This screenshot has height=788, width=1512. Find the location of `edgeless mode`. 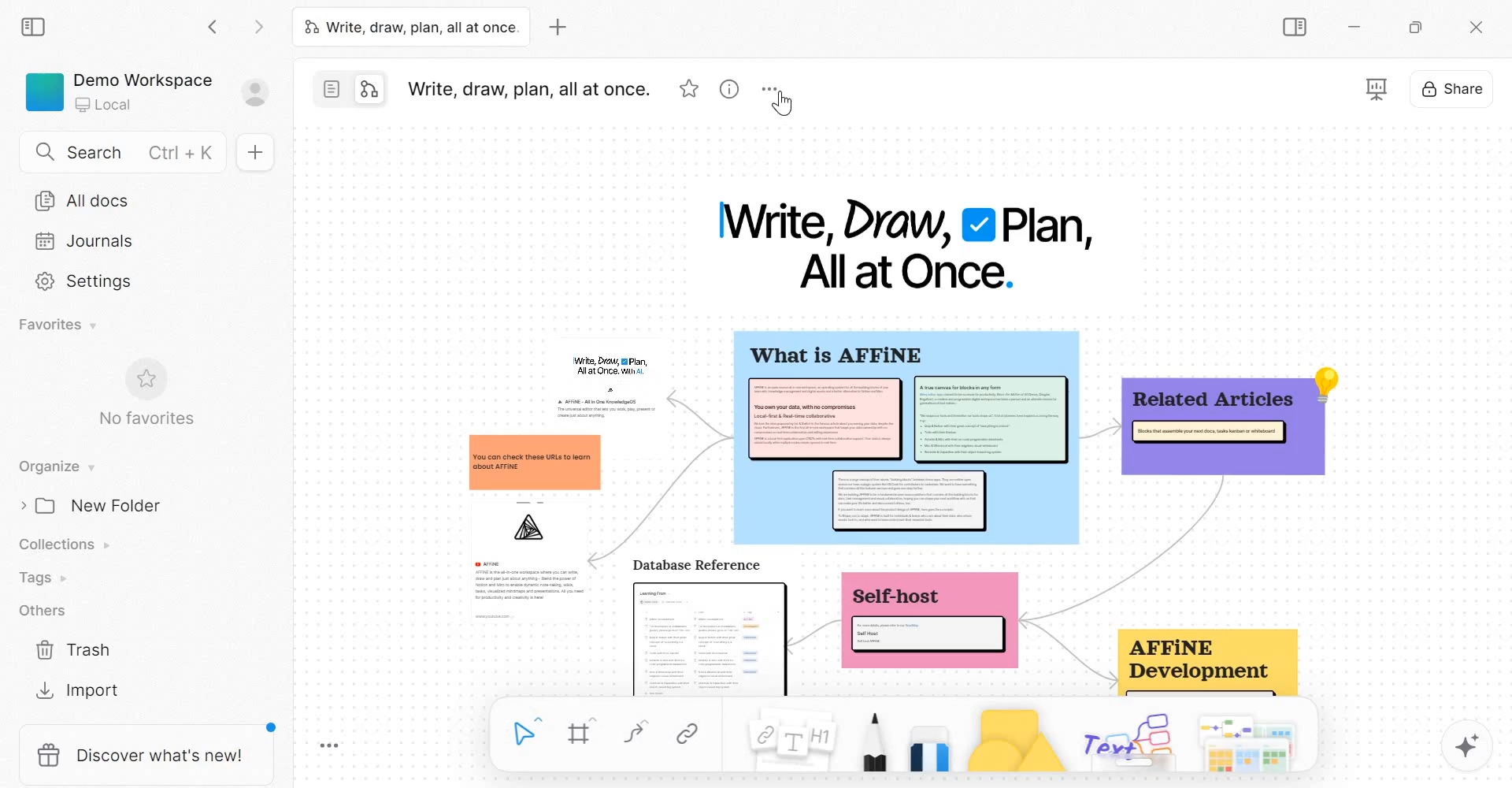

edgeless mode is located at coordinates (369, 89).